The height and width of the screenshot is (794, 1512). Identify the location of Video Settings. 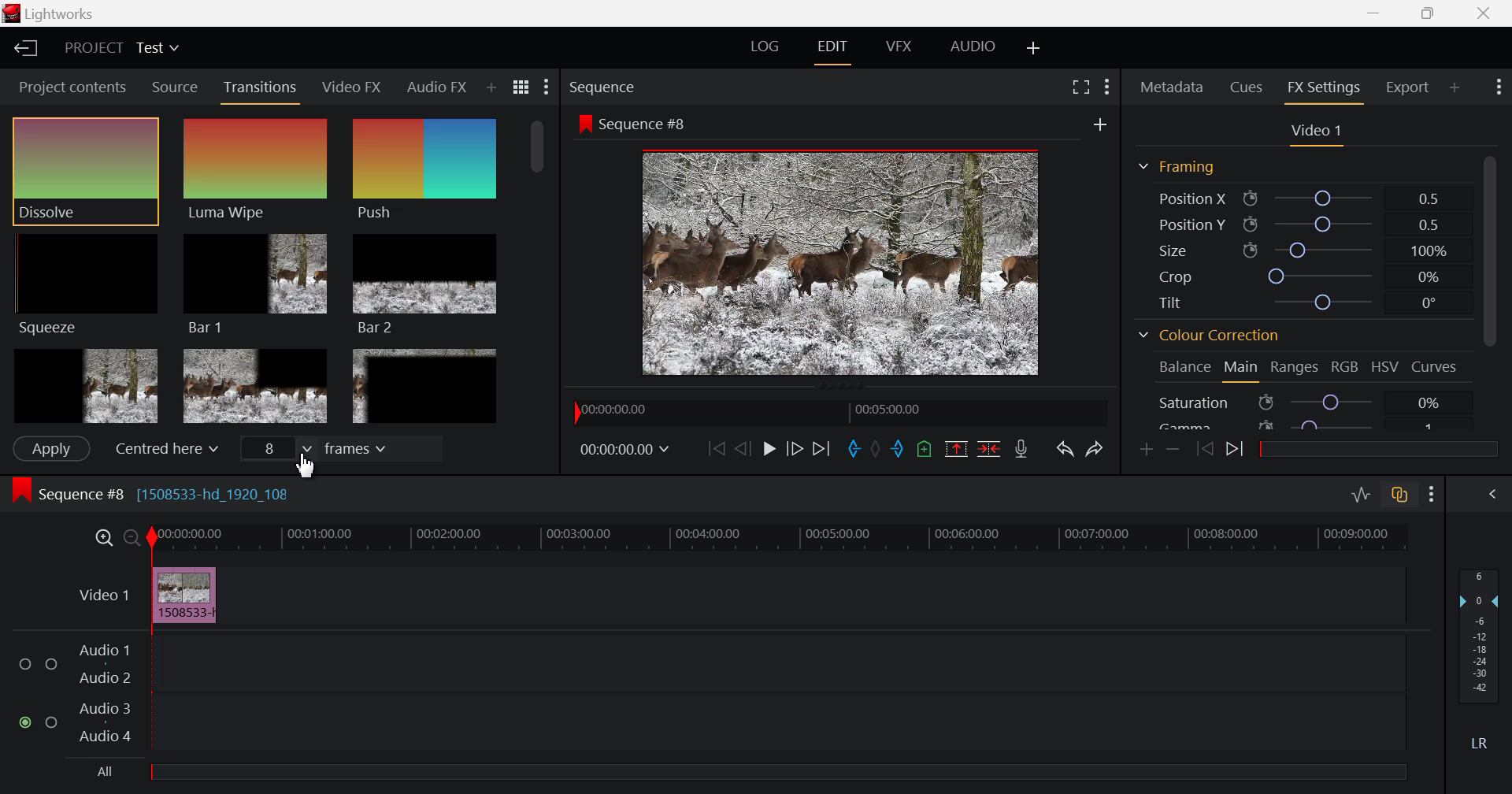
(1317, 135).